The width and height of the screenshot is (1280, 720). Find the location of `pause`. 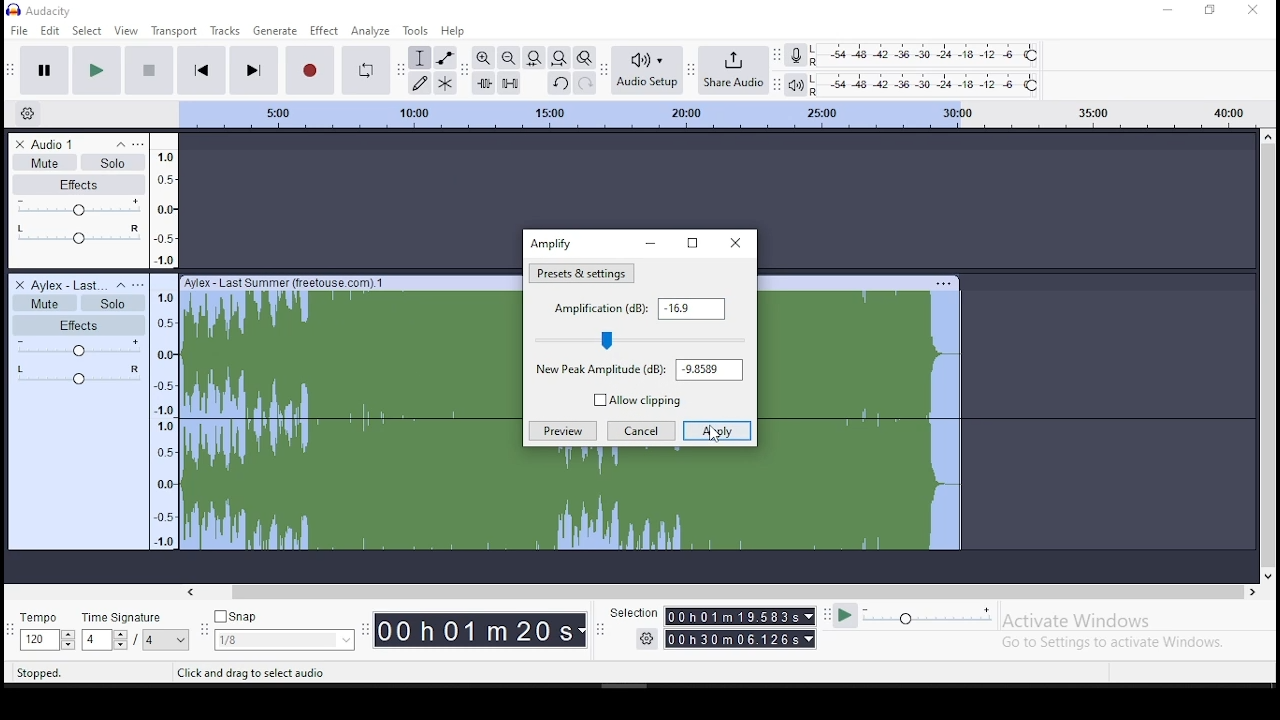

pause is located at coordinates (41, 71).